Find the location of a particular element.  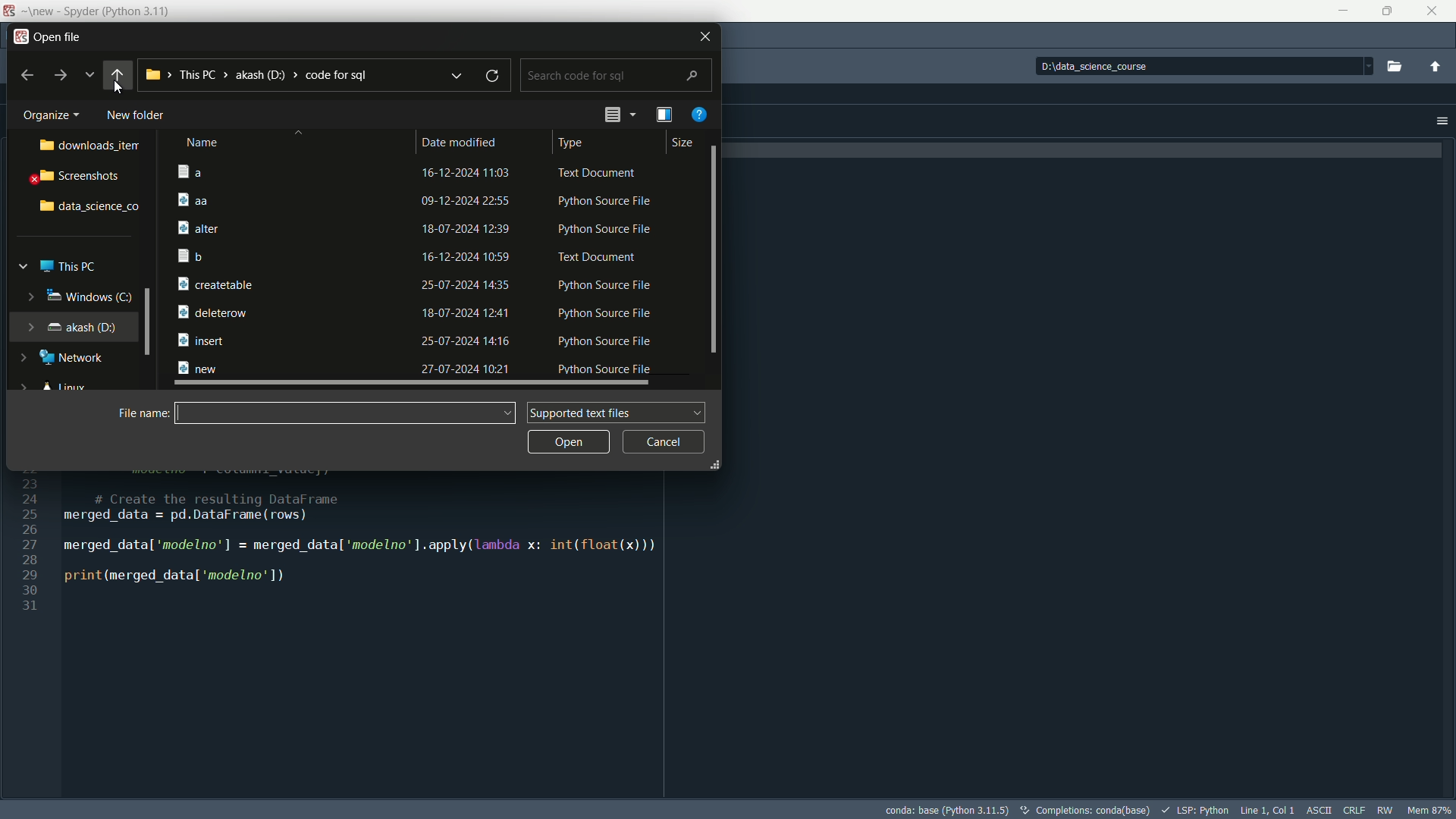

open file is located at coordinates (48, 36).